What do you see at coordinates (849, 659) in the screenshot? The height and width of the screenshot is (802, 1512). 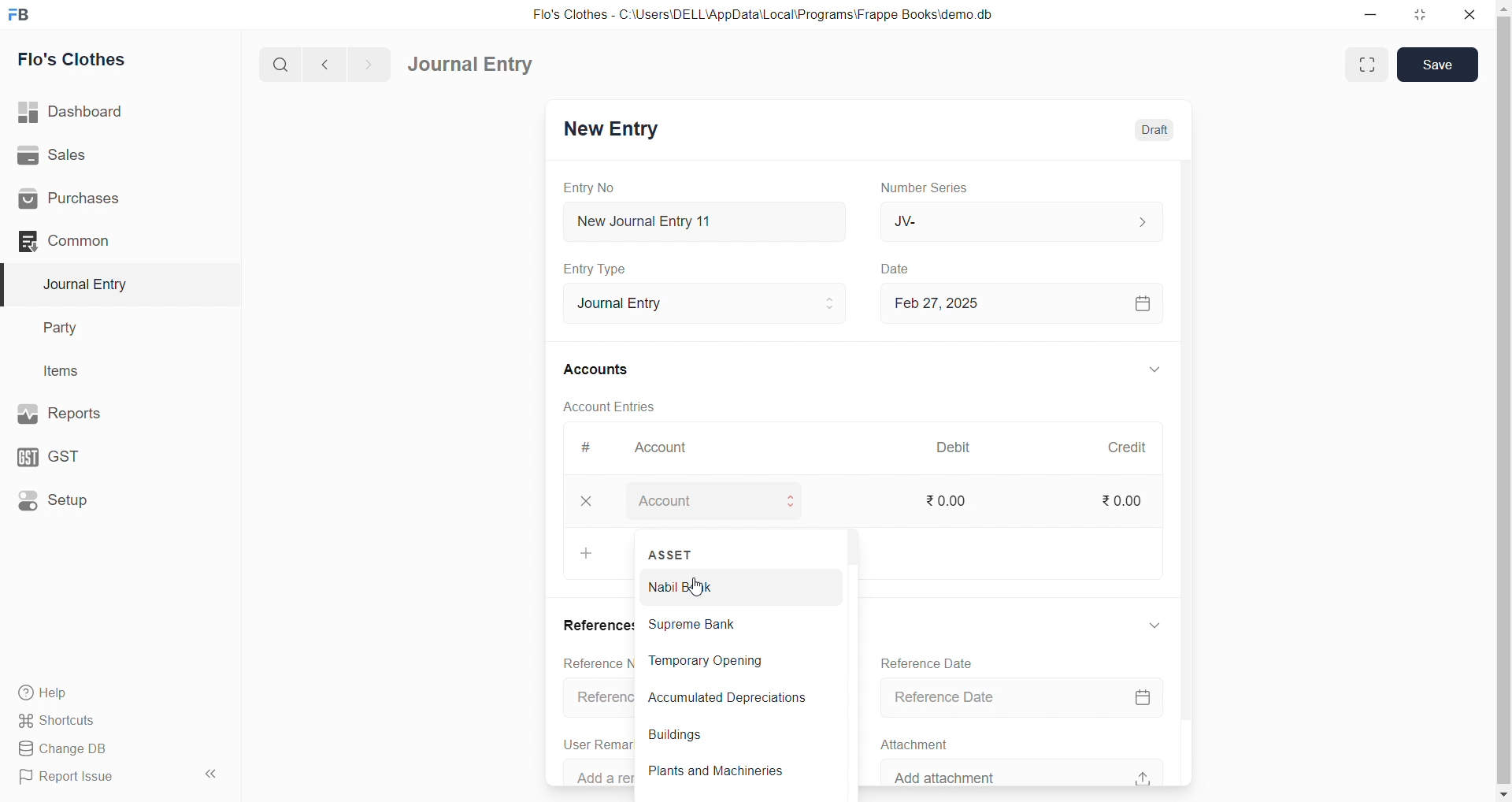 I see `vertical scroll bar` at bounding box center [849, 659].